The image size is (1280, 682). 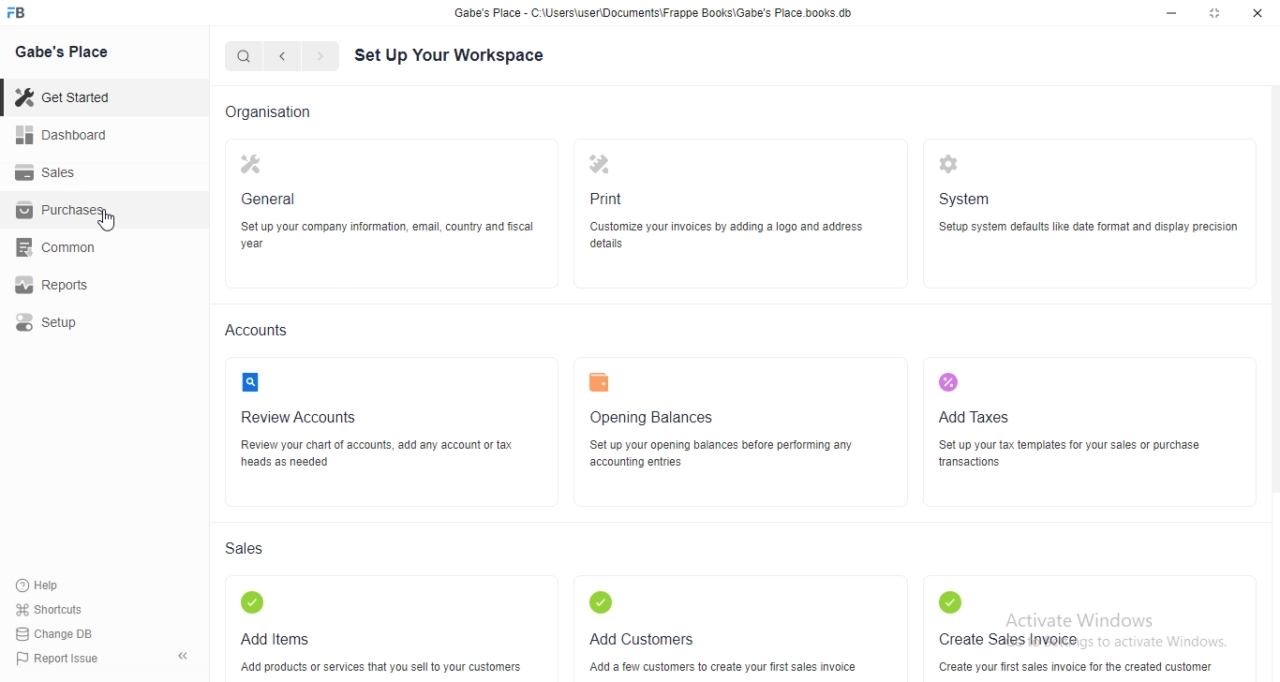 What do you see at coordinates (322, 56) in the screenshot?
I see `Next` at bounding box center [322, 56].